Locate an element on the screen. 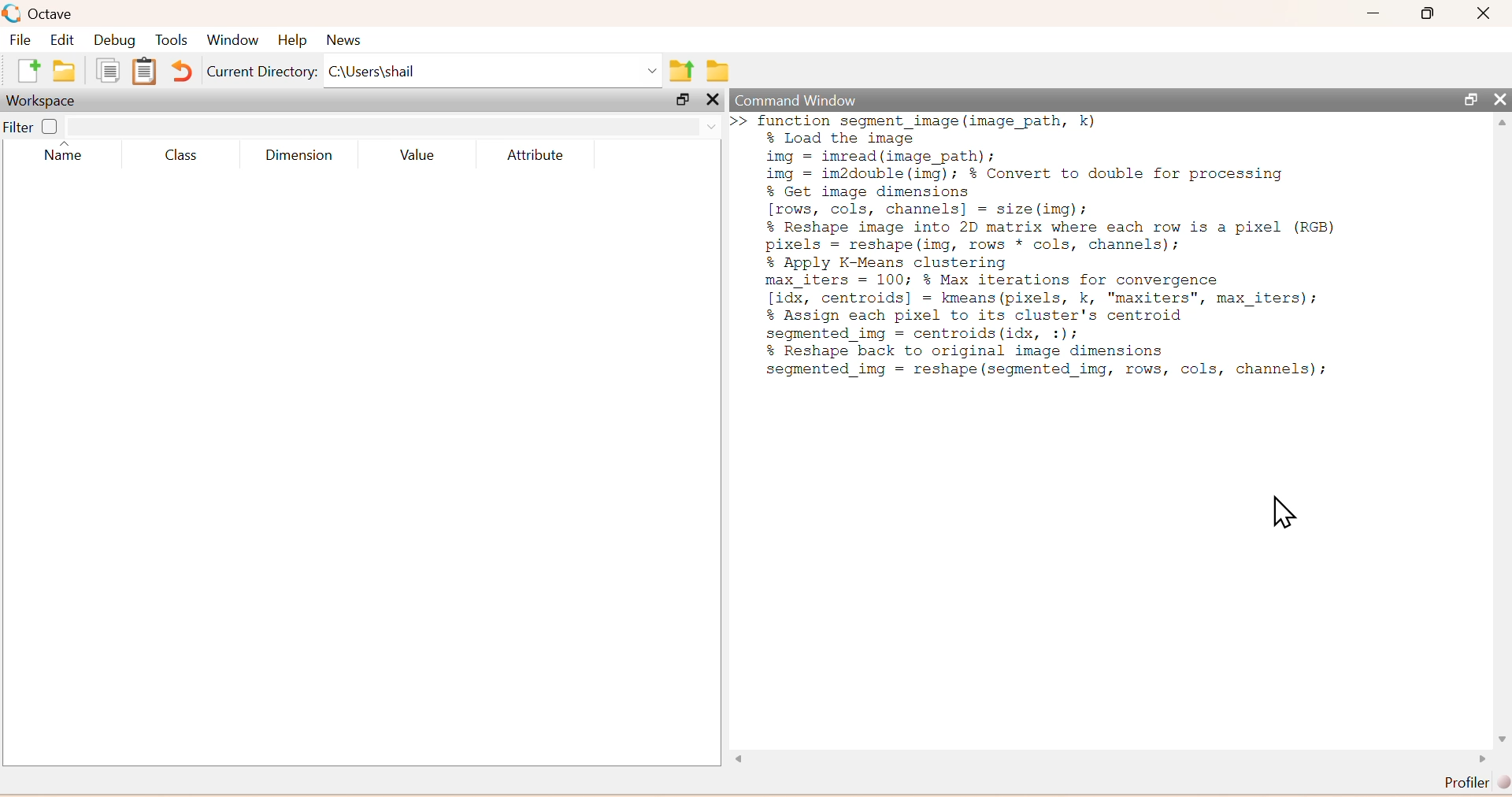 This screenshot has width=1512, height=797. Browse directories is located at coordinates (717, 72).